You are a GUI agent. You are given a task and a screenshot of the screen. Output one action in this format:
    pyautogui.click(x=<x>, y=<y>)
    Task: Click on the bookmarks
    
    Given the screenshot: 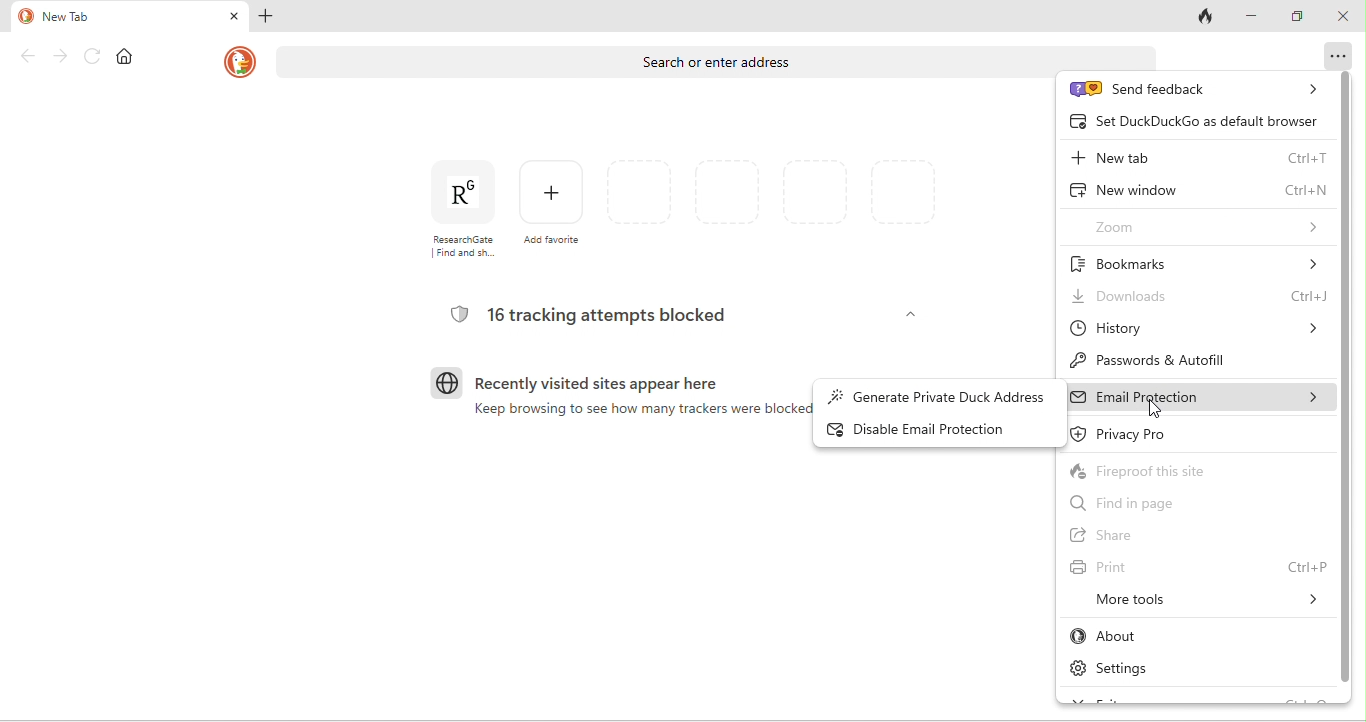 What is the action you would take?
    pyautogui.click(x=1197, y=261)
    